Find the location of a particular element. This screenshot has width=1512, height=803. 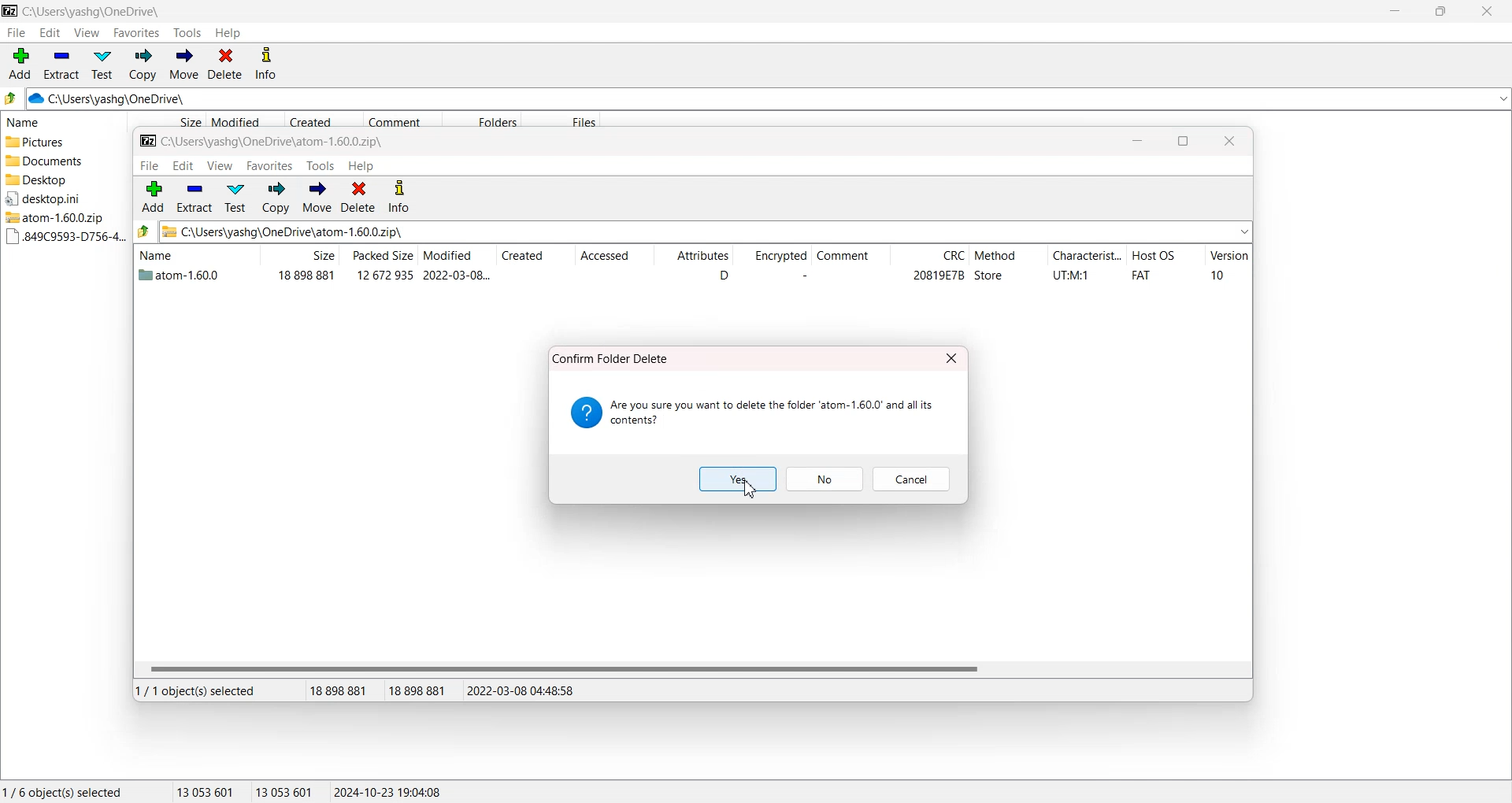

File path - C:\Users\yashg\OneDrive\atom-1.60.0.zip\ is located at coordinates (263, 142).